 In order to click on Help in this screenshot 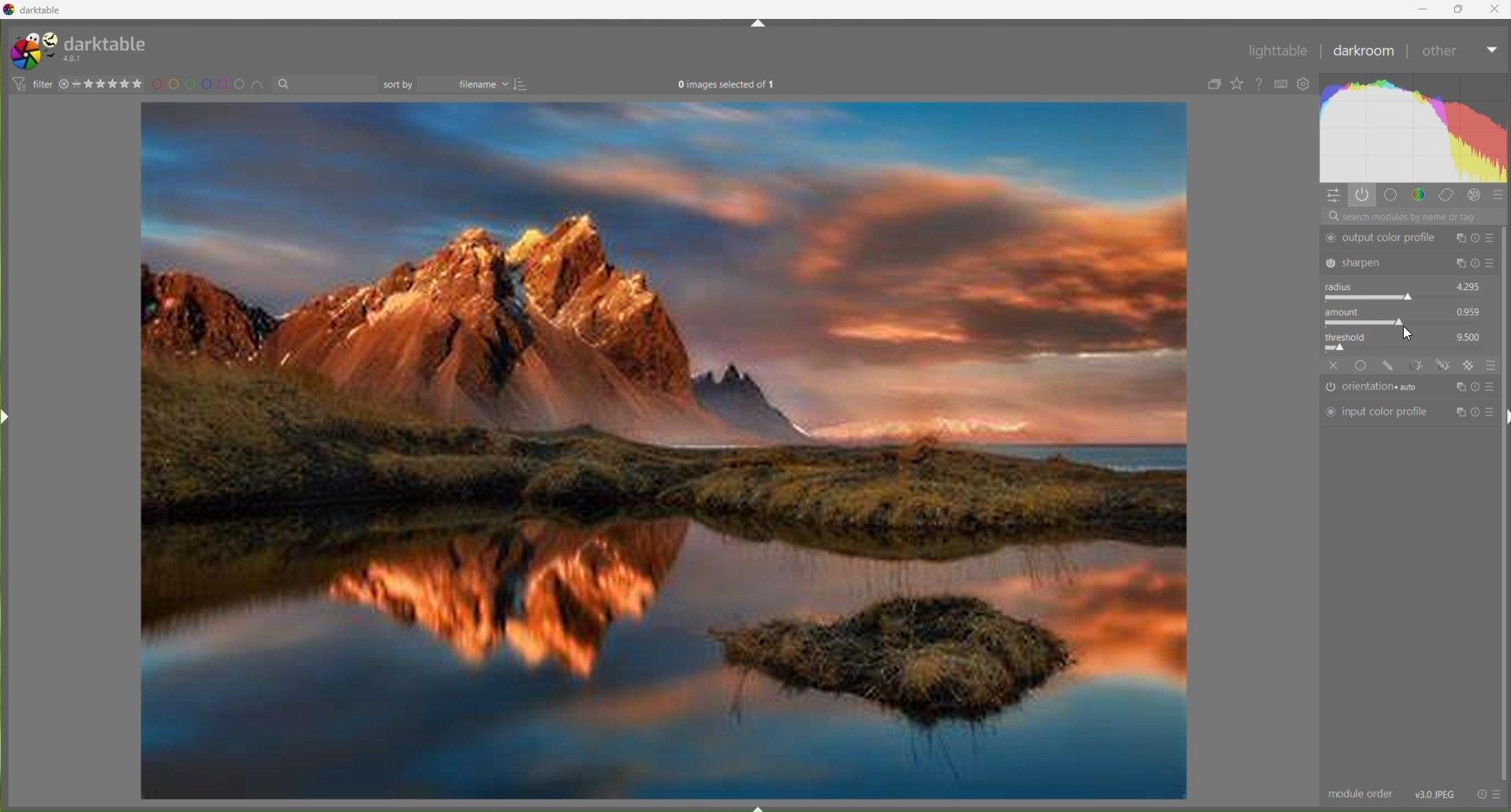, I will do `click(1261, 84)`.